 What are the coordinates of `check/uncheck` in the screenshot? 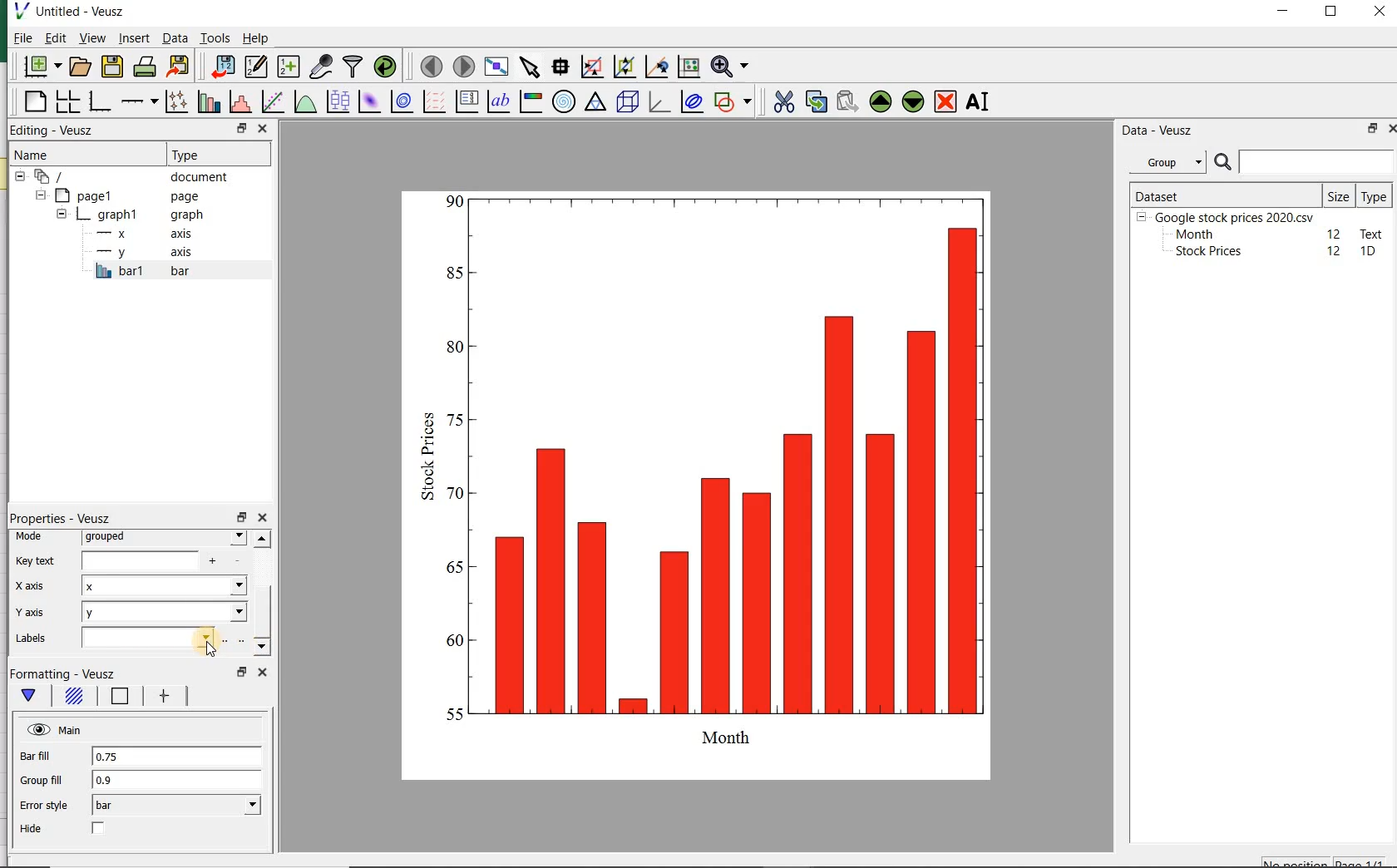 It's located at (100, 829).